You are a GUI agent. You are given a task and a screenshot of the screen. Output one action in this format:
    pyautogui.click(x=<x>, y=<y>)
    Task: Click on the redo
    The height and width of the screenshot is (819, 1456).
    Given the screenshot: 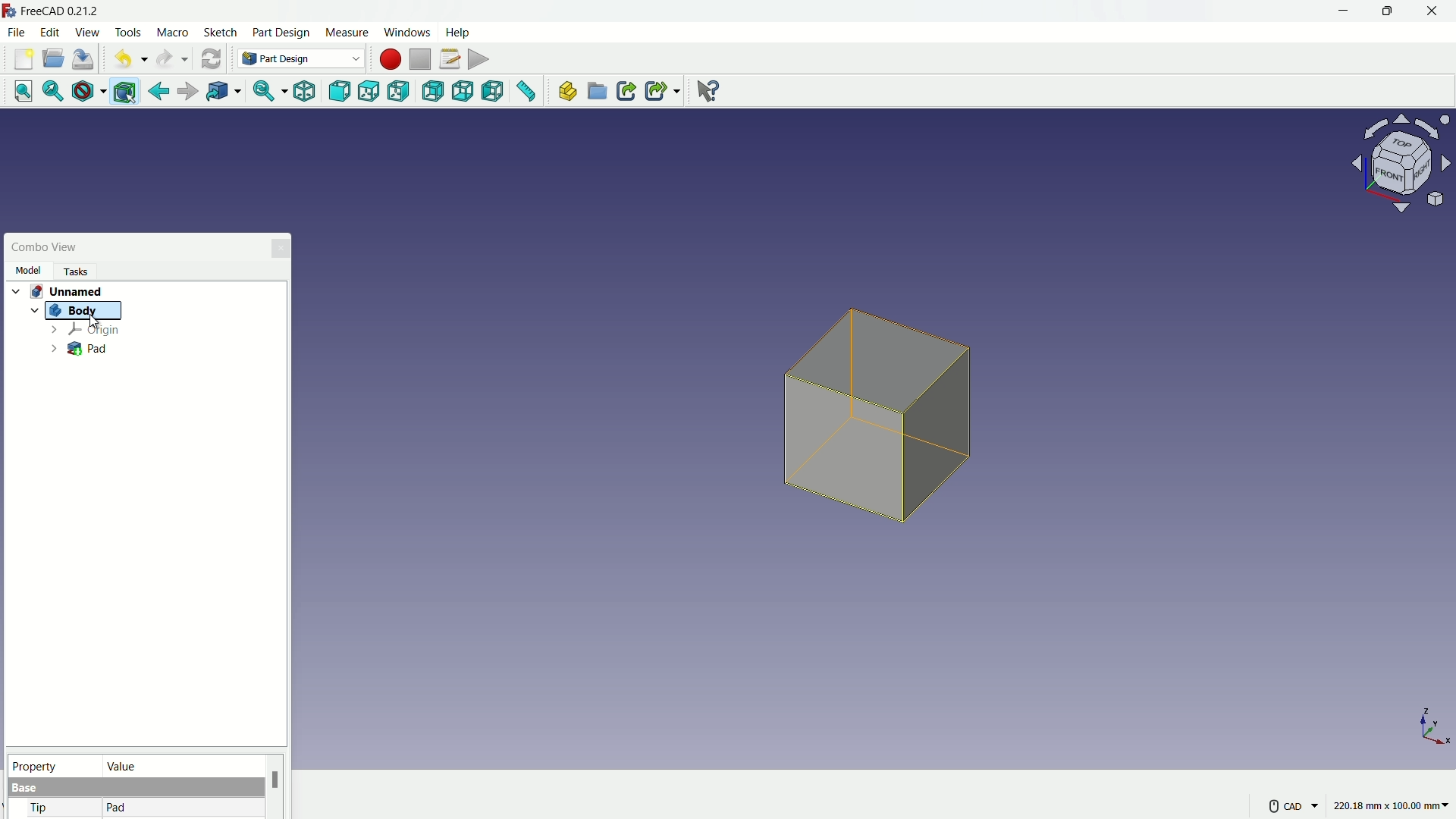 What is the action you would take?
    pyautogui.click(x=172, y=59)
    